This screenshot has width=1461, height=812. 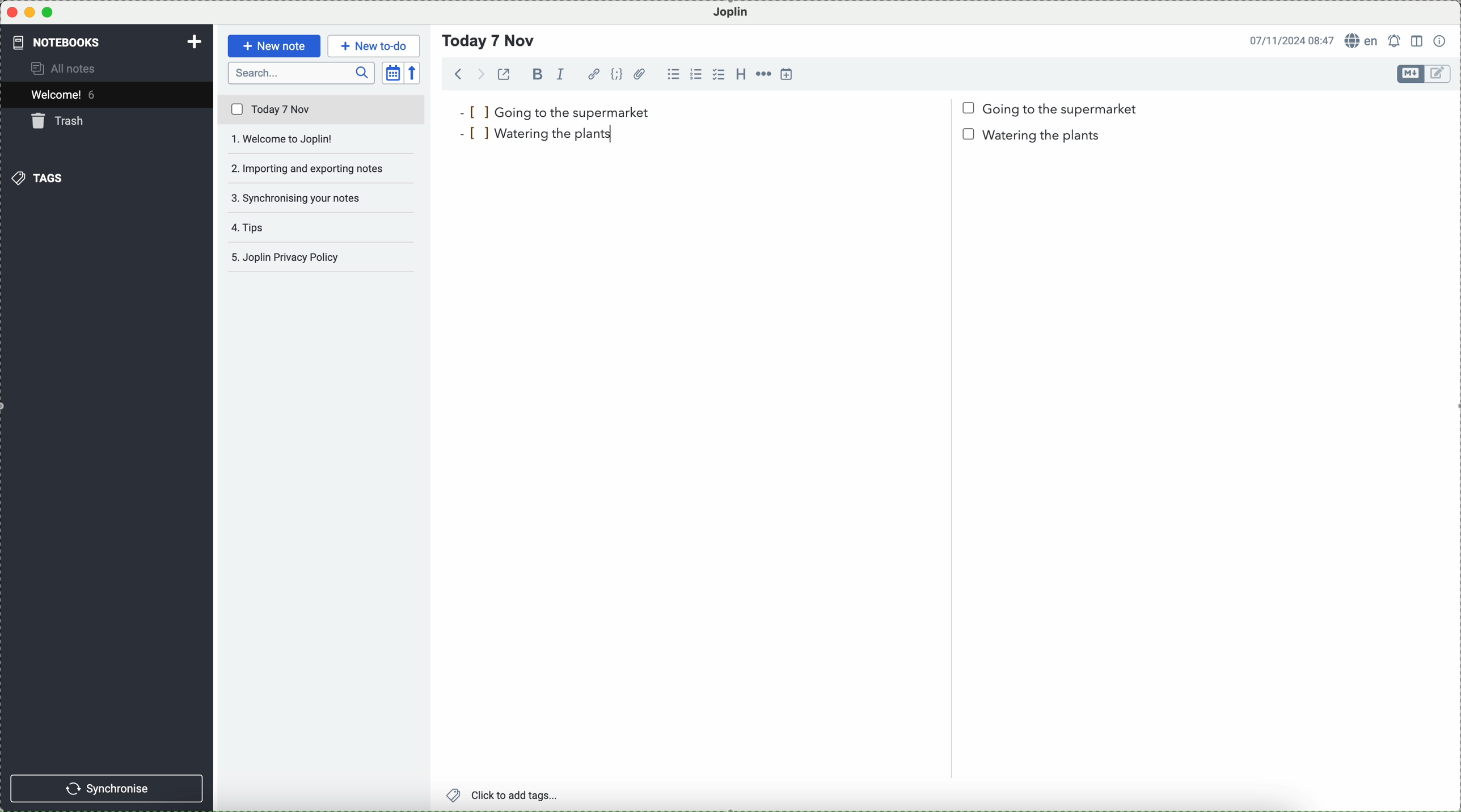 I want to click on notebooks tab, so click(x=66, y=42).